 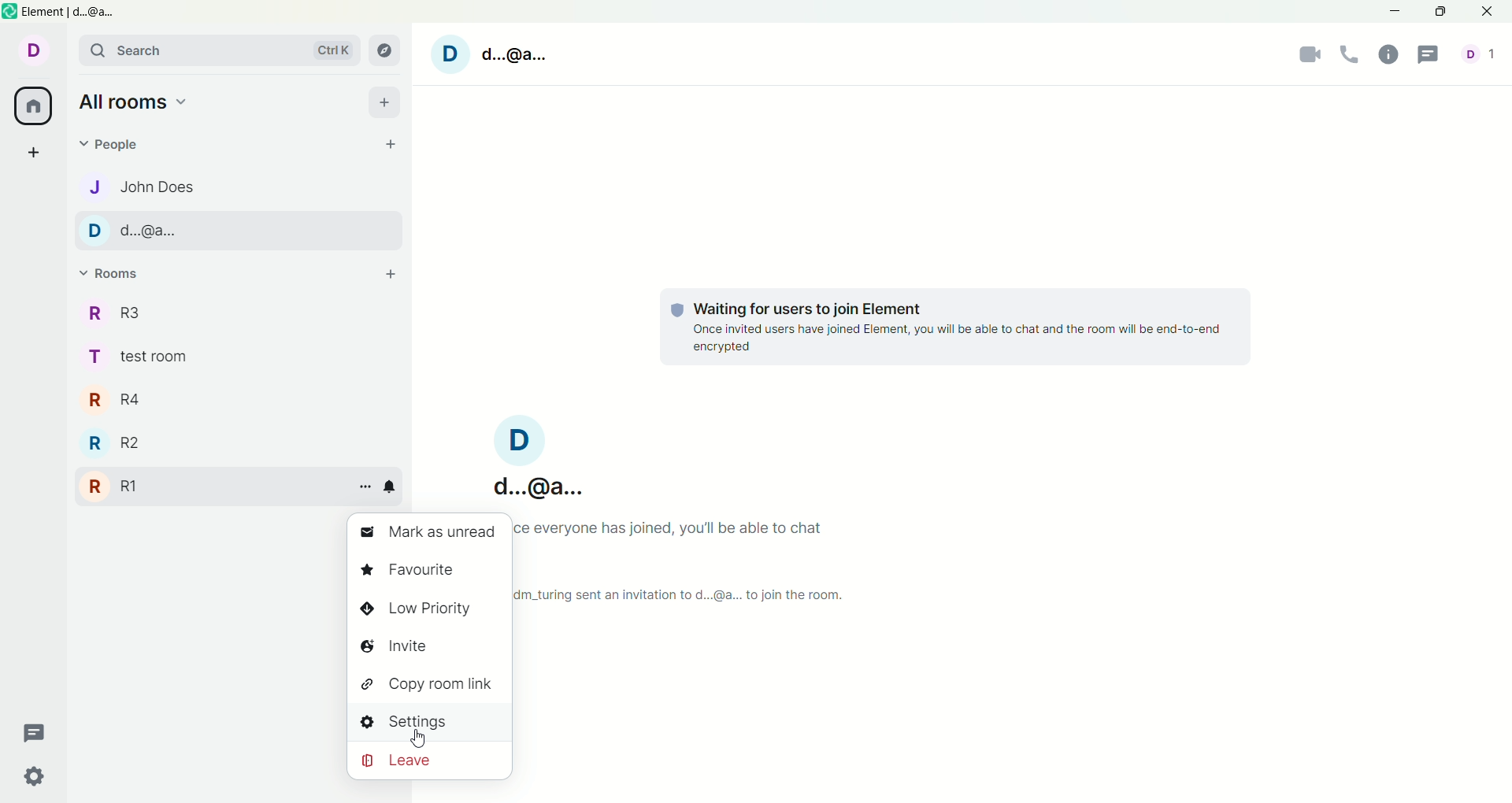 What do you see at coordinates (1391, 56) in the screenshot?
I see `room info` at bounding box center [1391, 56].